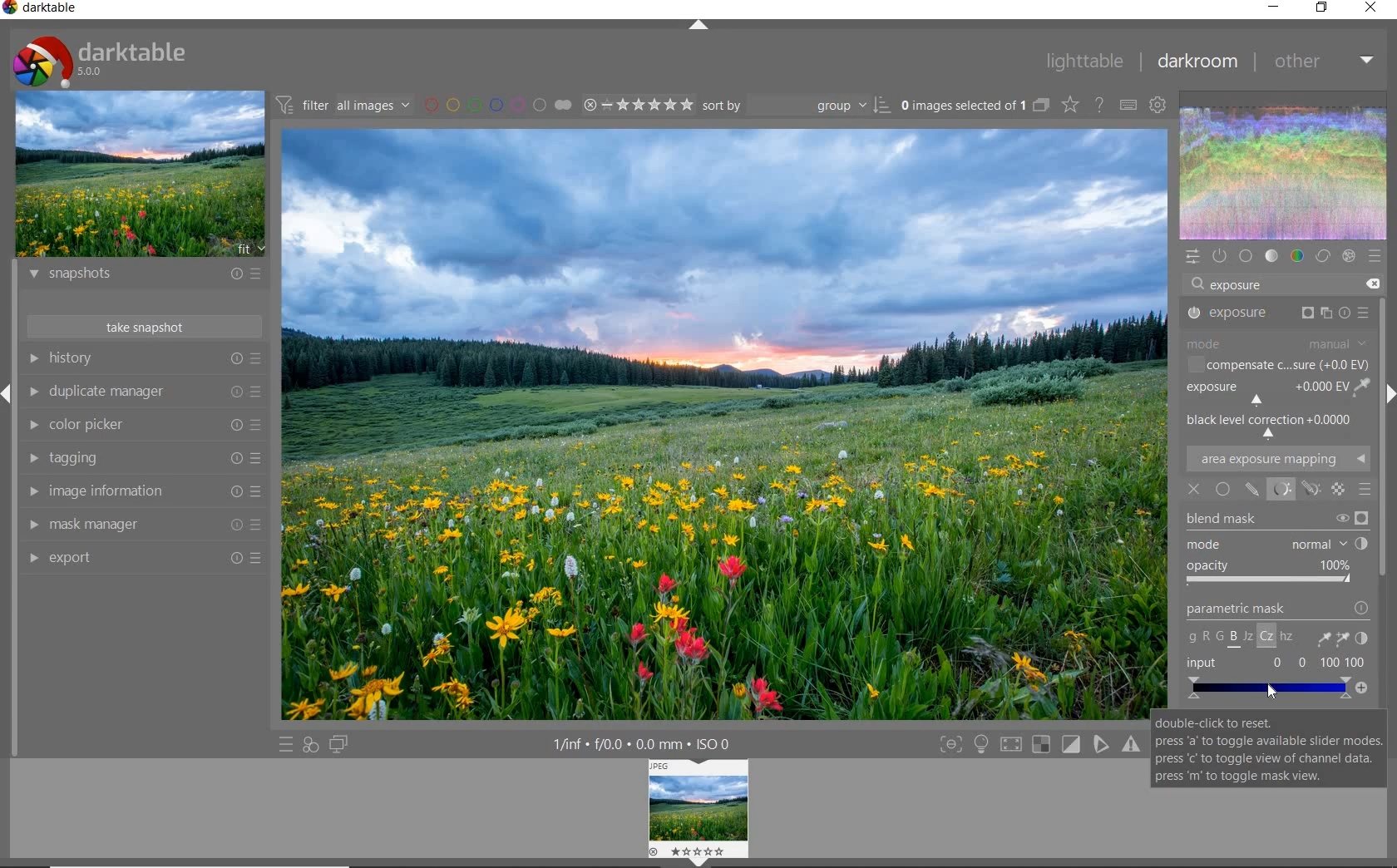 The image size is (1397, 868). I want to click on BLACK LEVL CORRECTION, so click(1276, 427).